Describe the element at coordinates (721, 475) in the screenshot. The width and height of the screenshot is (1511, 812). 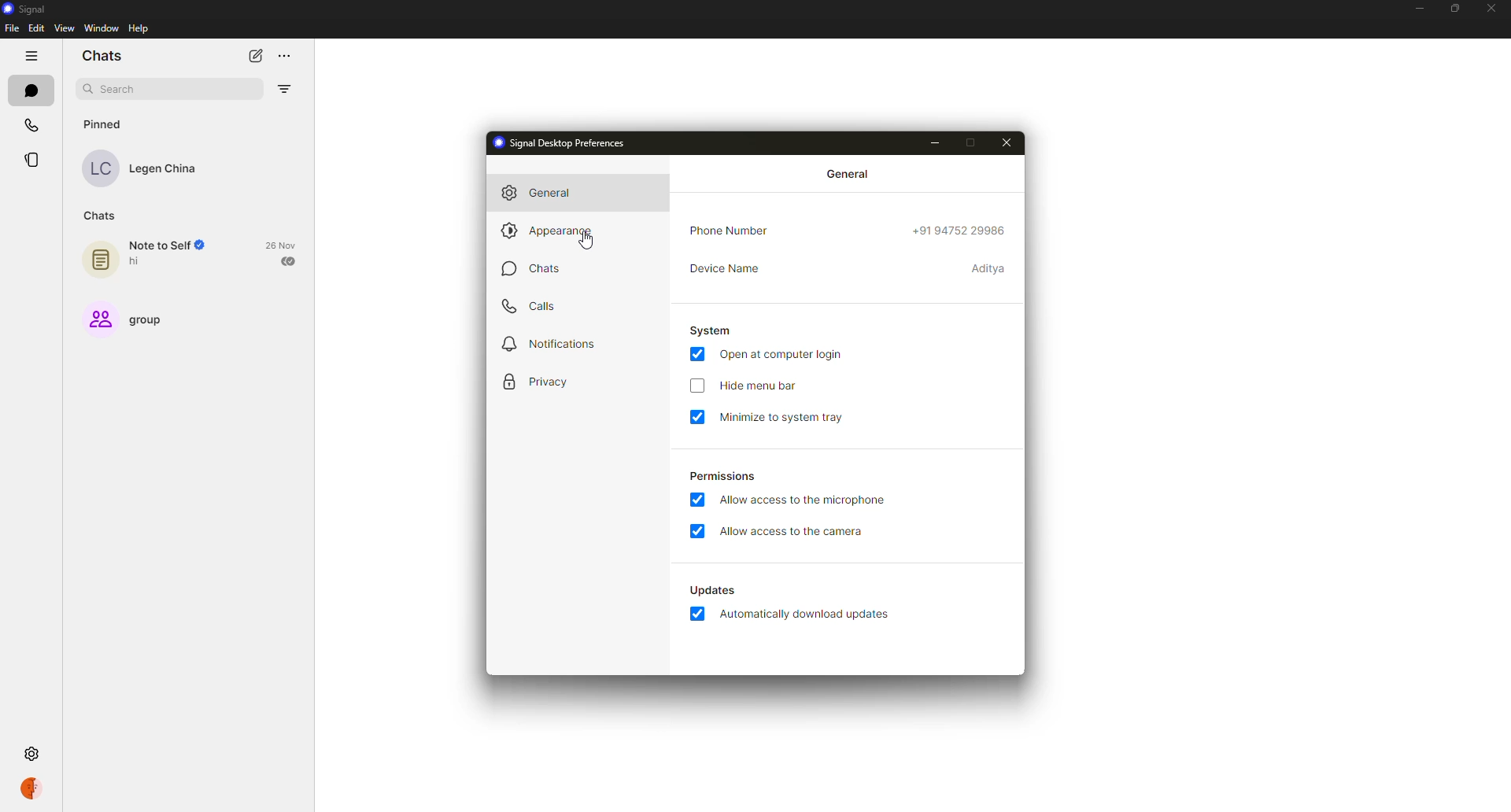
I see `permissions` at that location.